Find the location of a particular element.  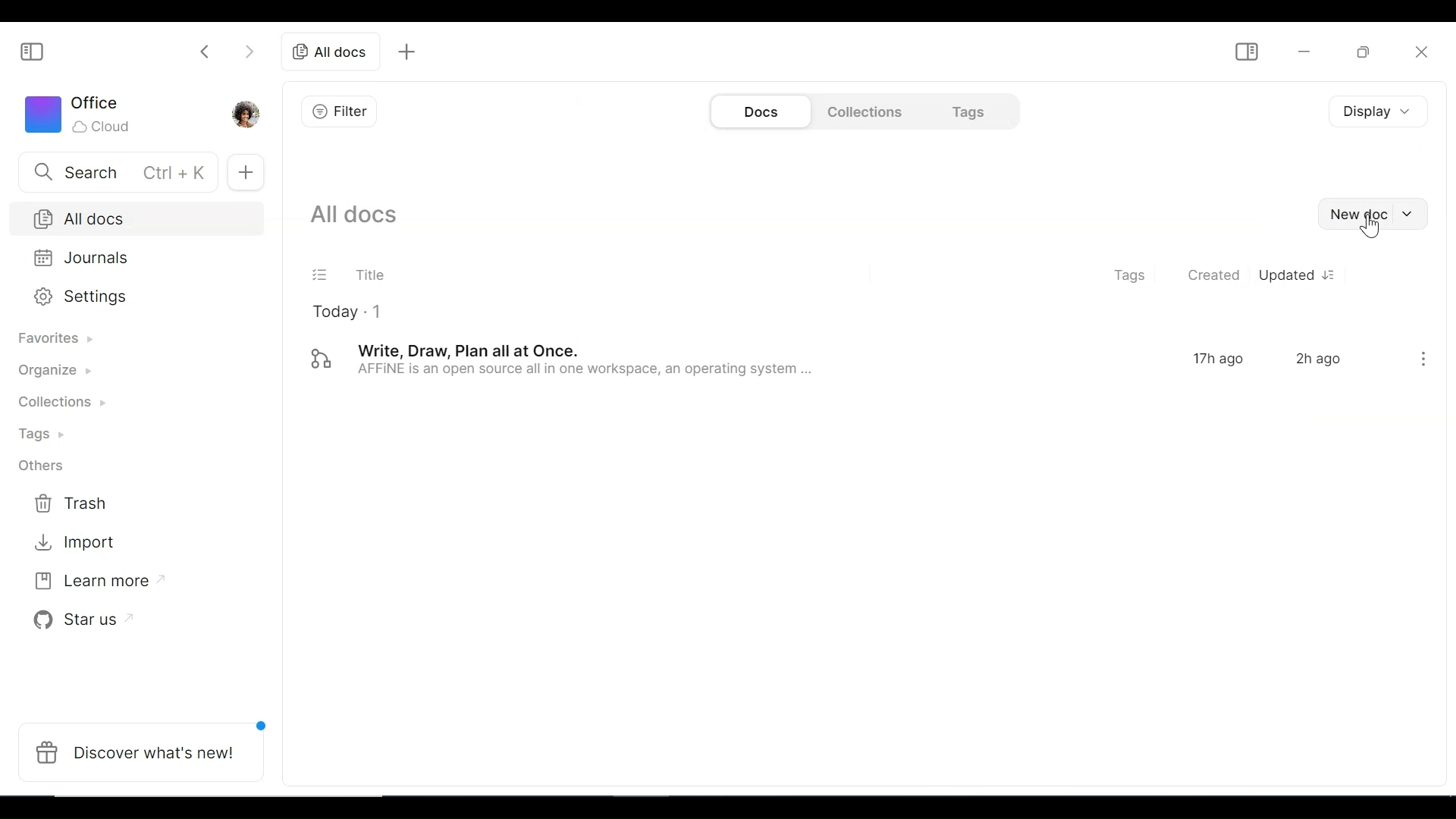

Favorites is located at coordinates (66, 341).